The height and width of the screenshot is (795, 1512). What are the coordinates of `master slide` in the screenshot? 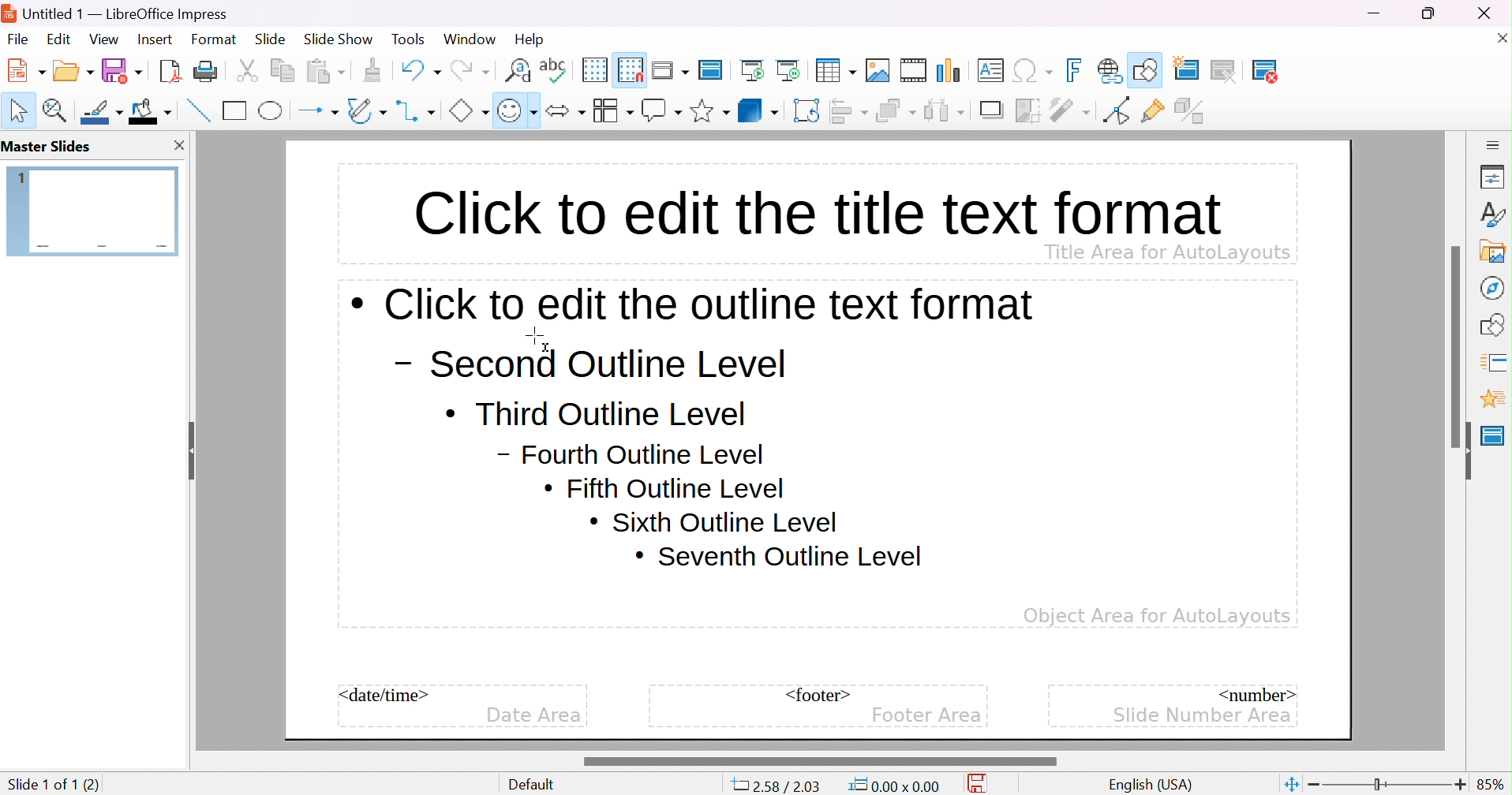 It's located at (1493, 435).